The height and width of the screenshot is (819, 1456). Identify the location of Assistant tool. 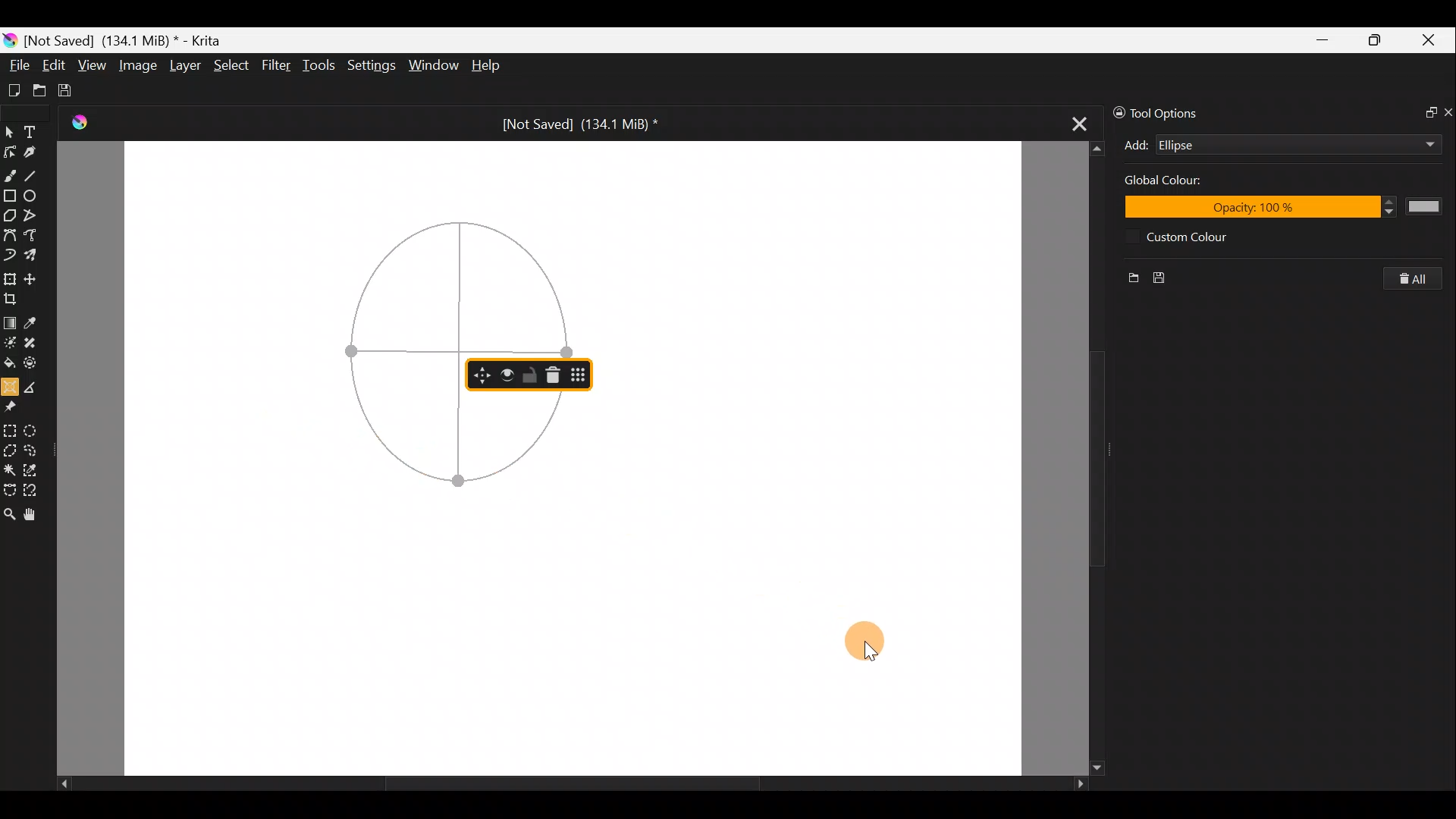
(10, 385).